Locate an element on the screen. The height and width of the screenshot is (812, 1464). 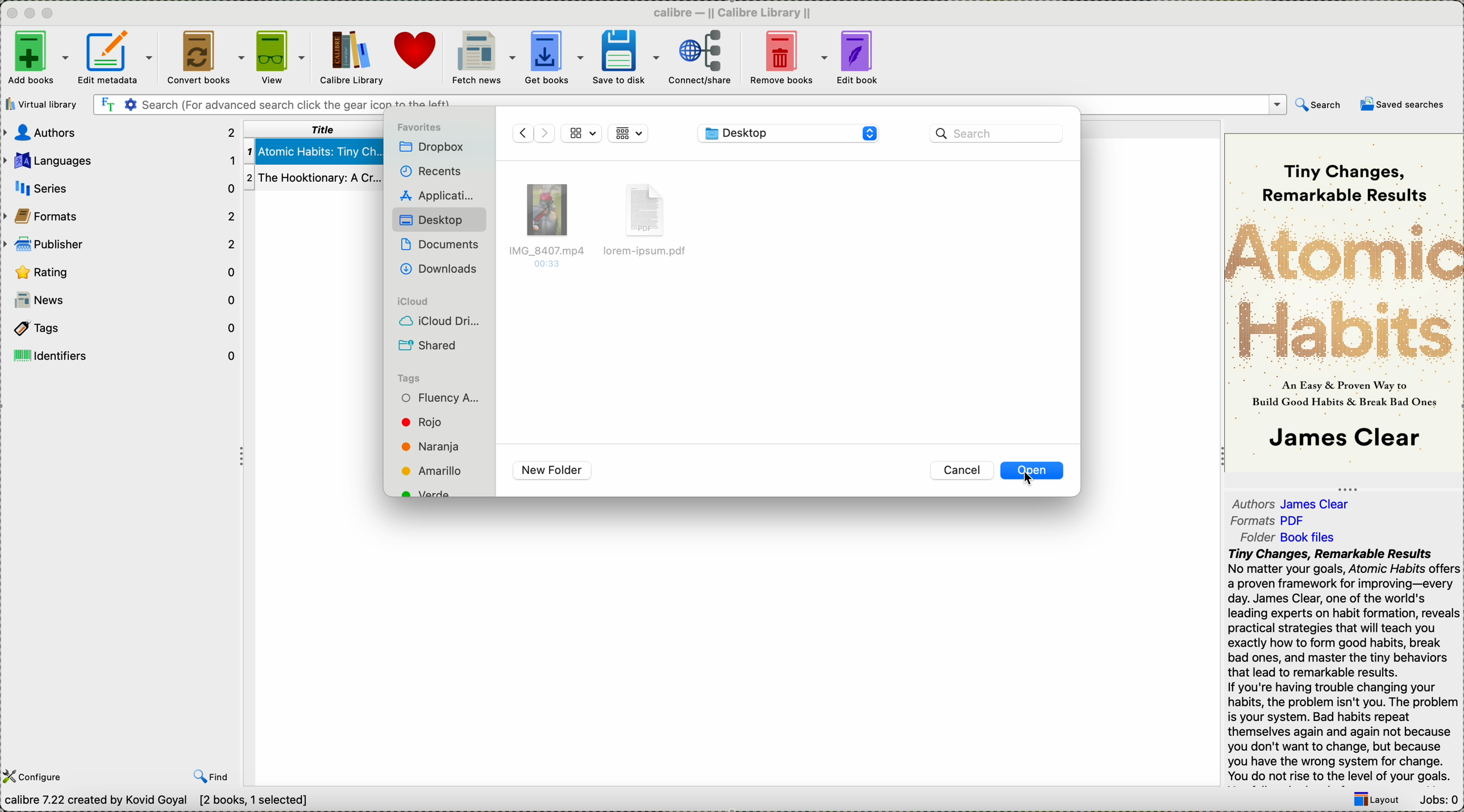
languages is located at coordinates (120, 160).